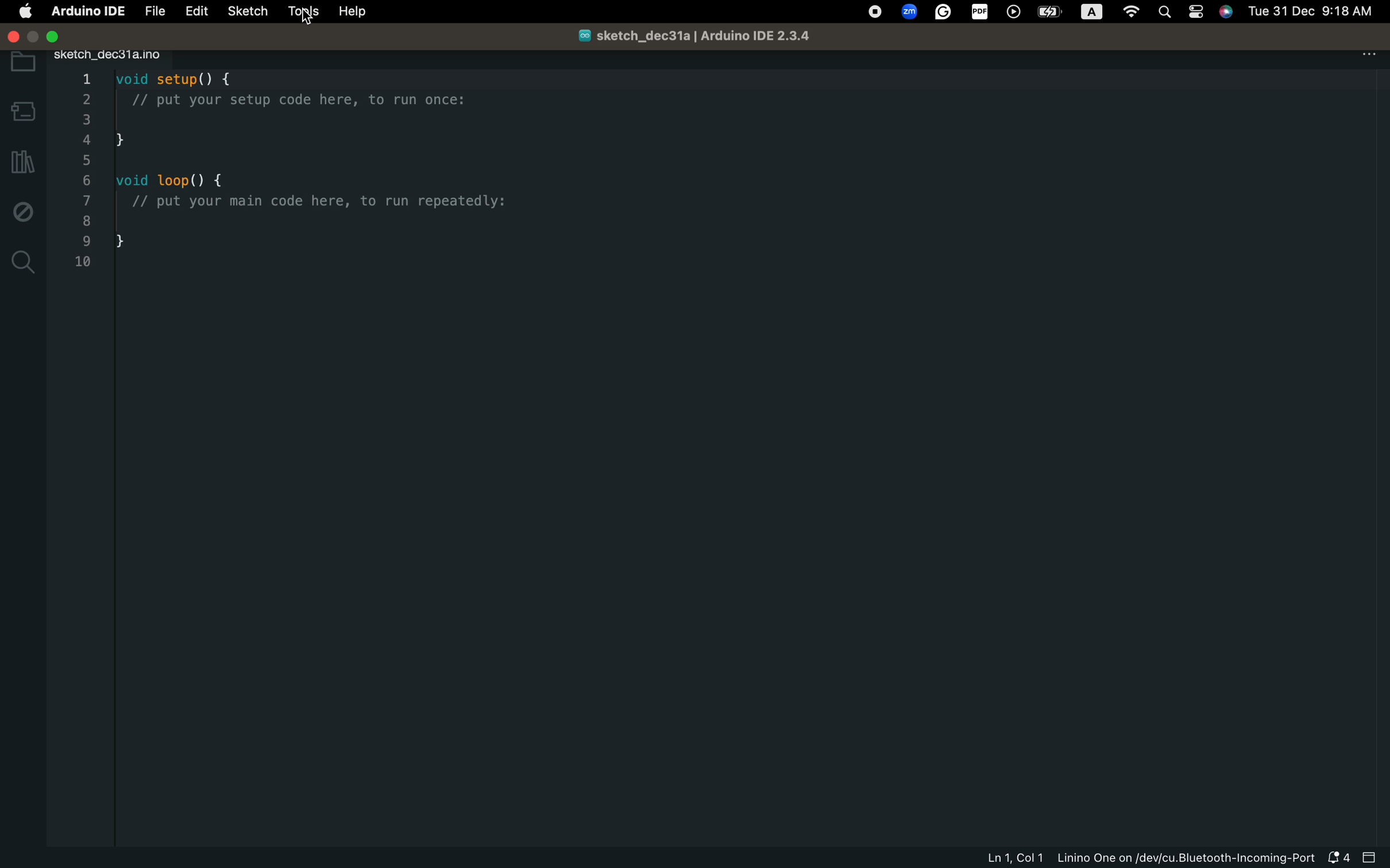 The image size is (1390, 868). Describe the element at coordinates (688, 36) in the screenshot. I see `file name` at that location.